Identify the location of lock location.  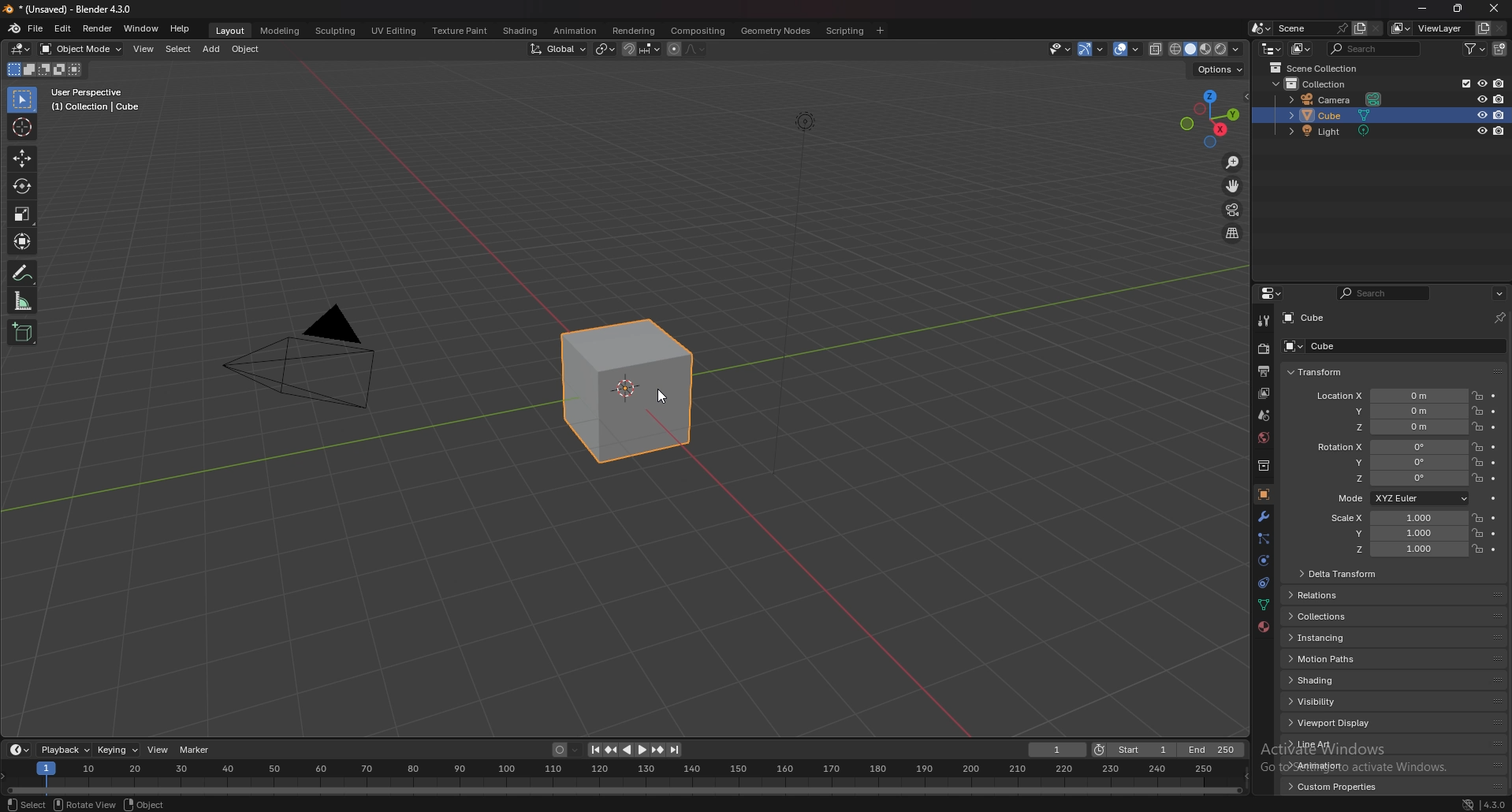
(1478, 426).